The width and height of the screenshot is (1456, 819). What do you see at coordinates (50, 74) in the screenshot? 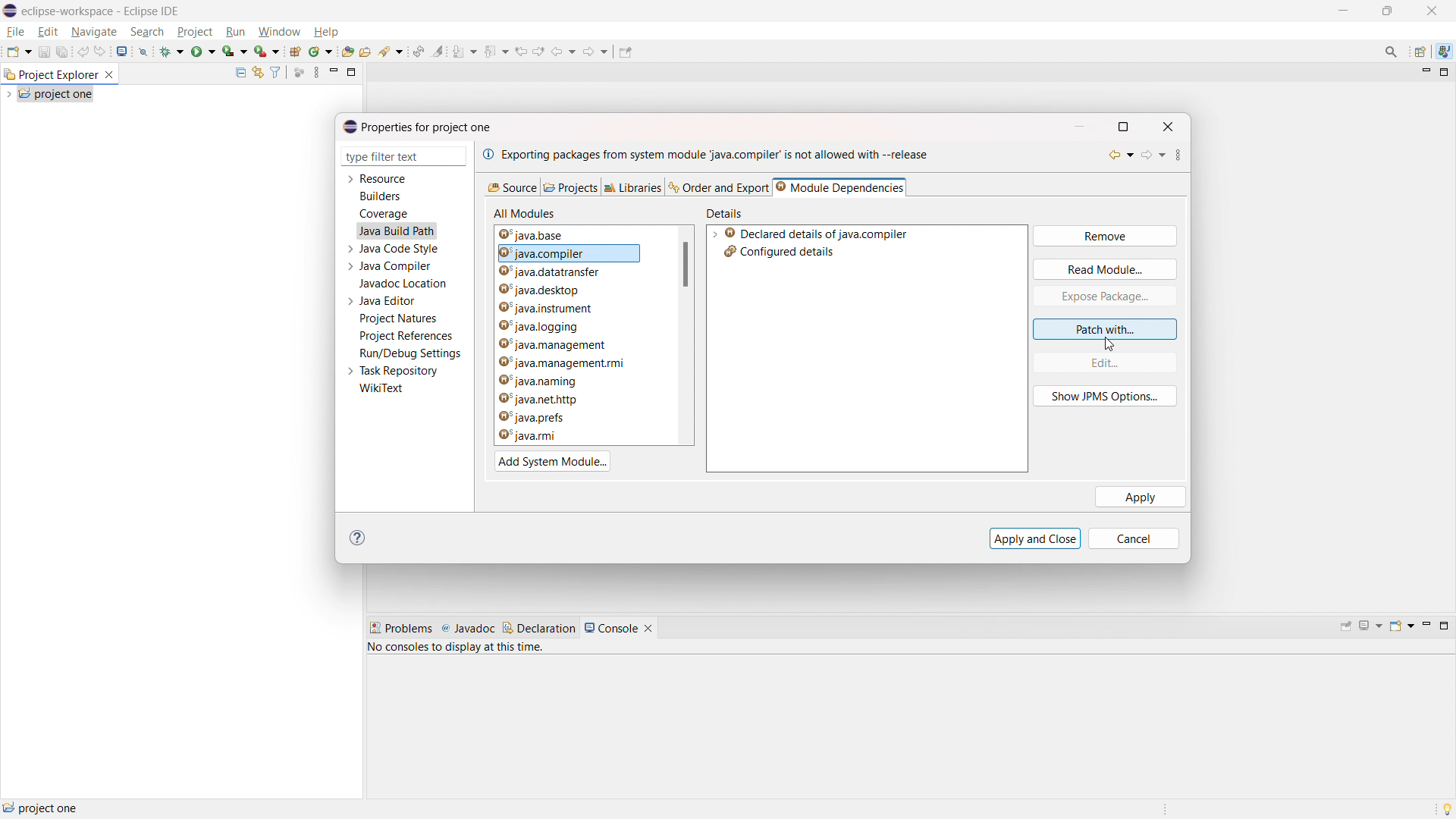
I see `project explorer` at bounding box center [50, 74].